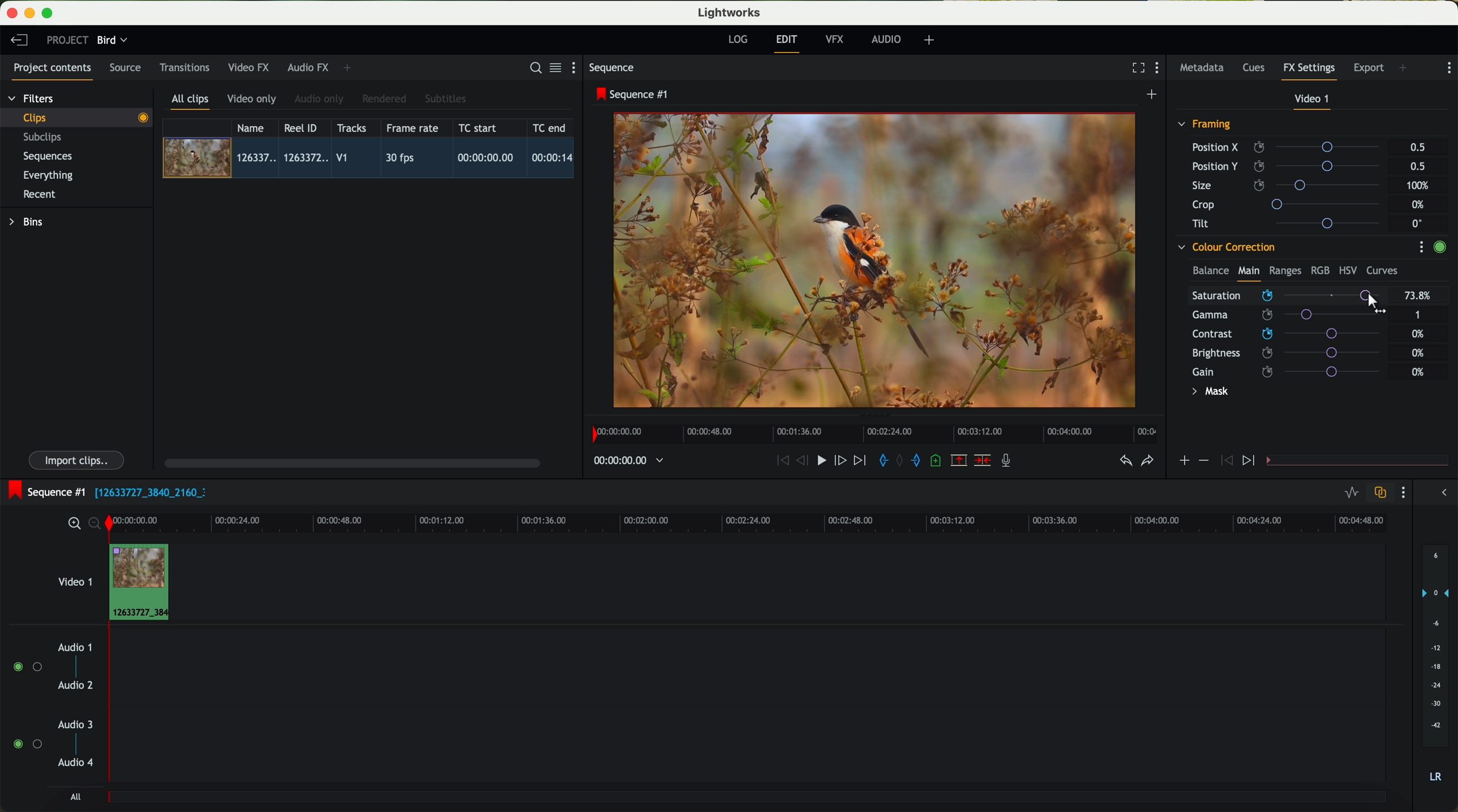  What do you see at coordinates (1147, 462) in the screenshot?
I see `redo` at bounding box center [1147, 462].